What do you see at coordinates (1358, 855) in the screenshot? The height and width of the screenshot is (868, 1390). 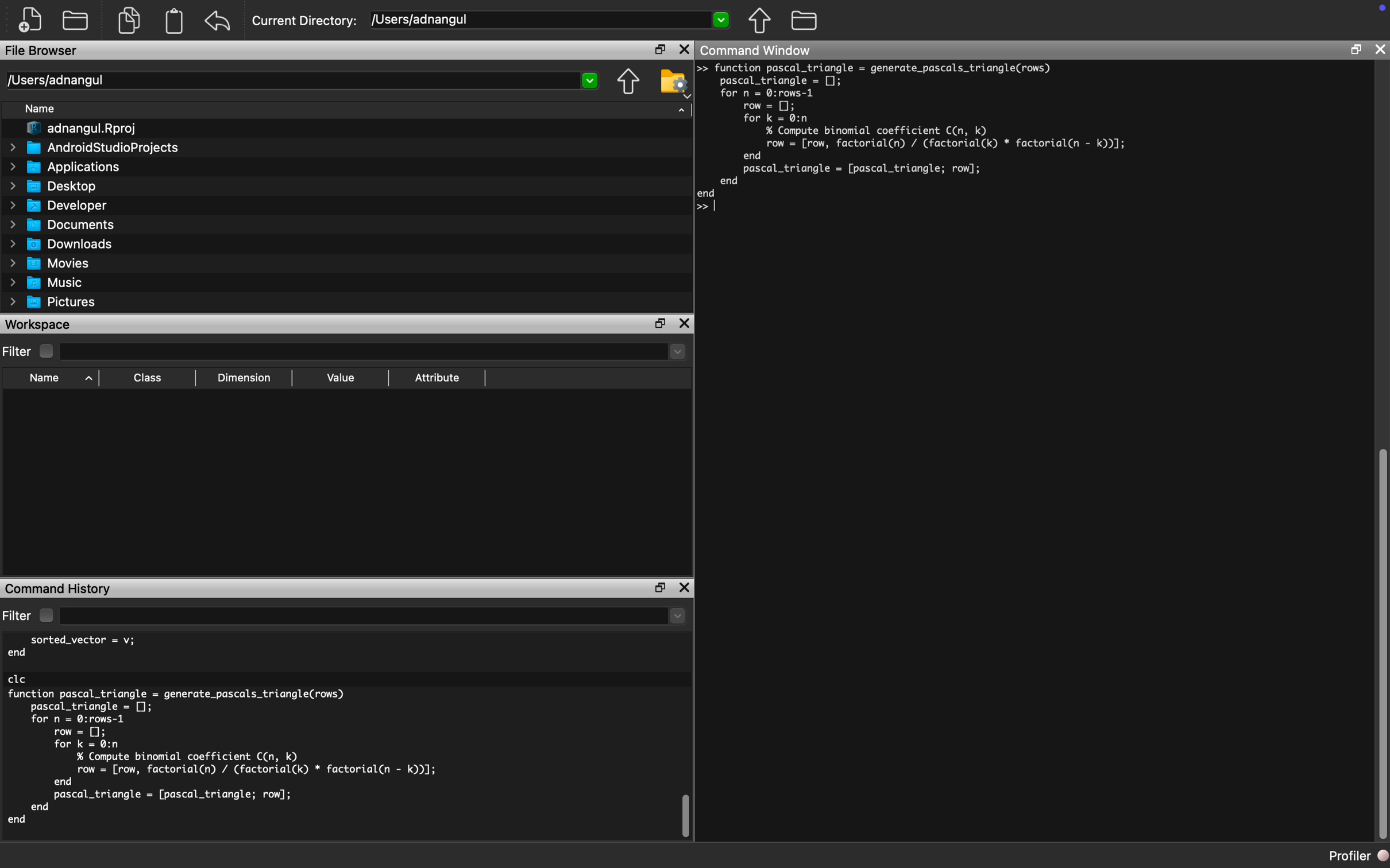 I see `Profiler` at bounding box center [1358, 855].